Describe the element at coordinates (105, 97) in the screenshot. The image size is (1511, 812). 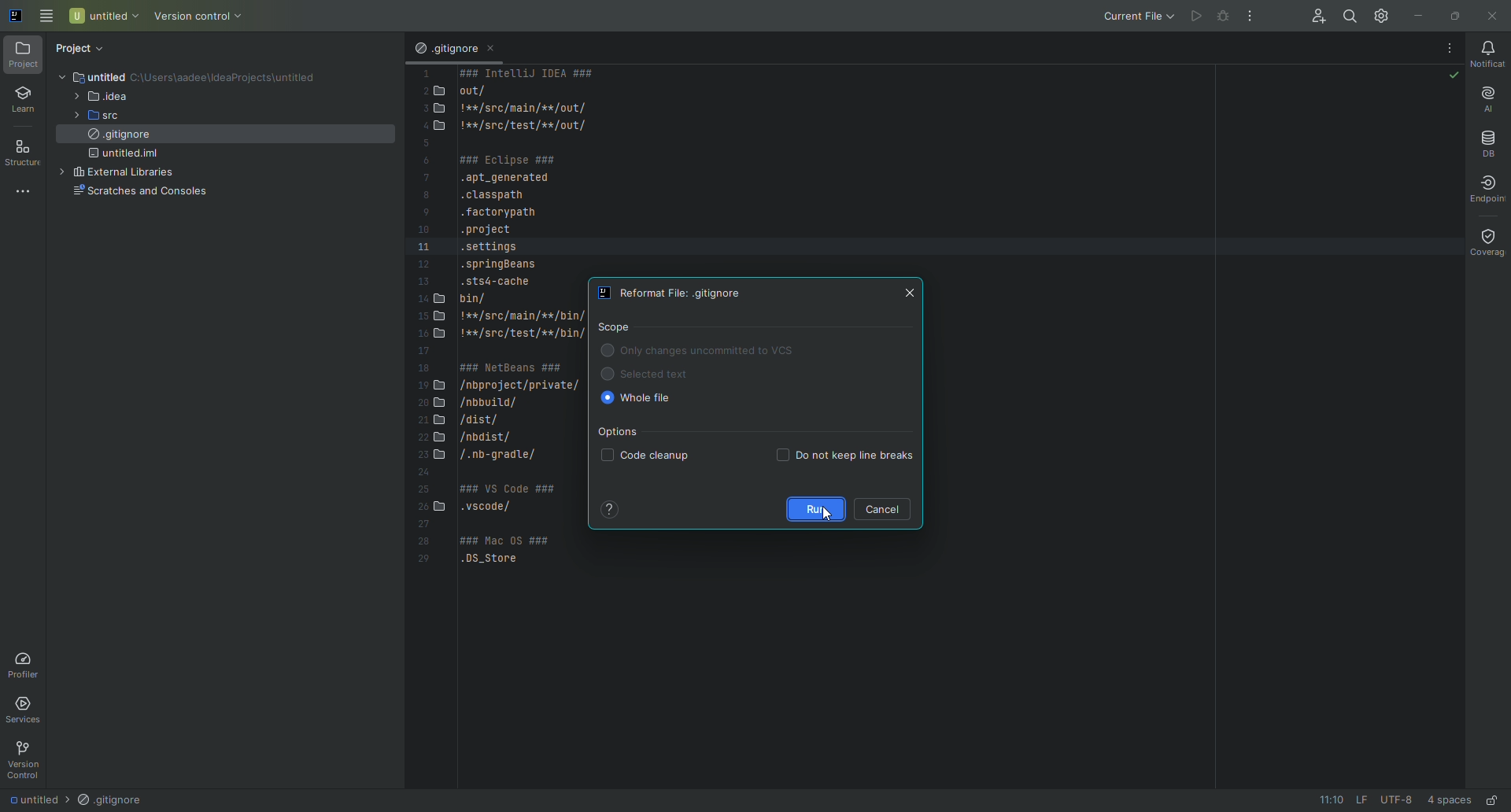
I see `.idea` at that location.